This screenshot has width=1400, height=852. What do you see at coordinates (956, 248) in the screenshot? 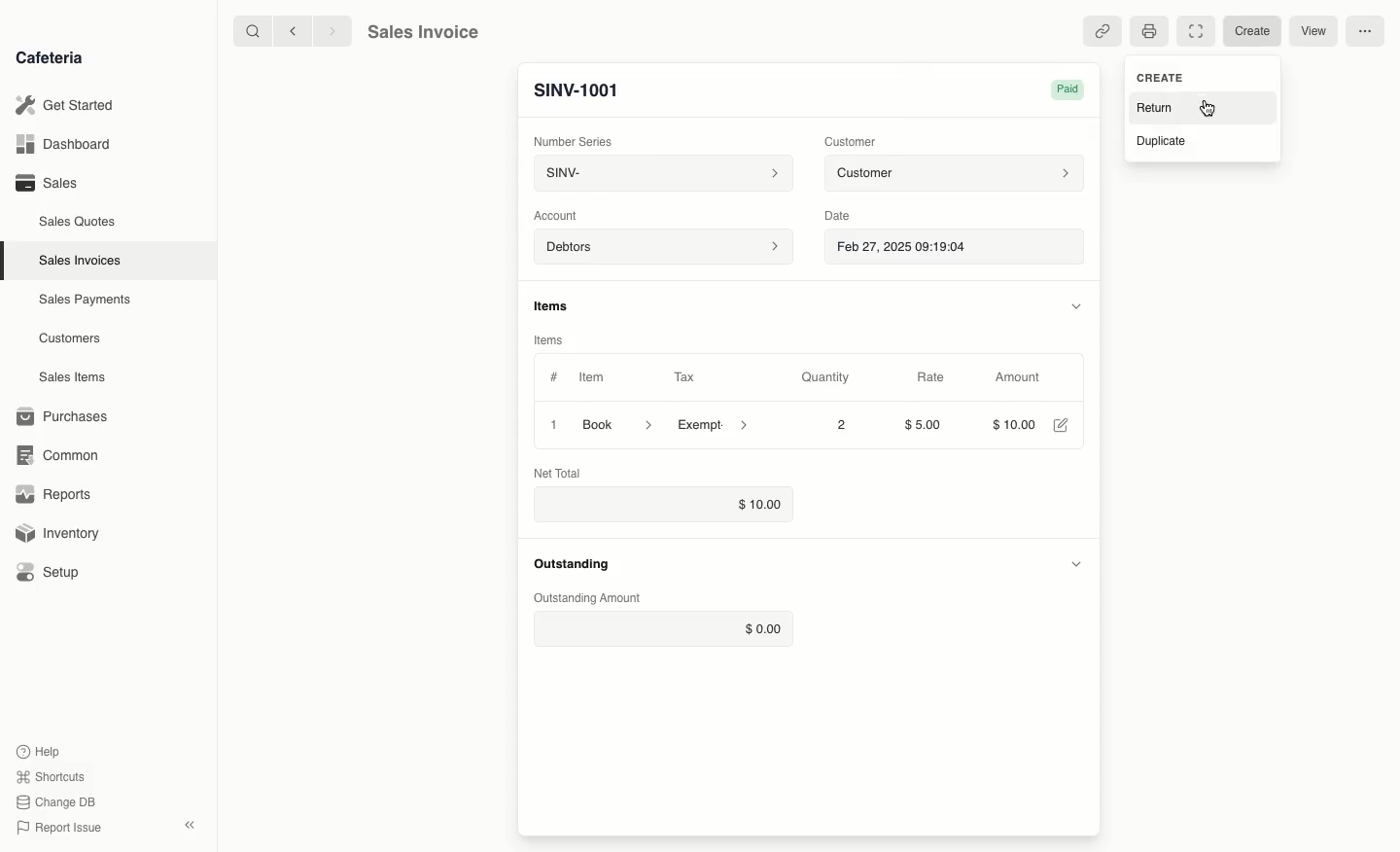
I see `Feb 27, 2025 09:19:04` at bounding box center [956, 248].